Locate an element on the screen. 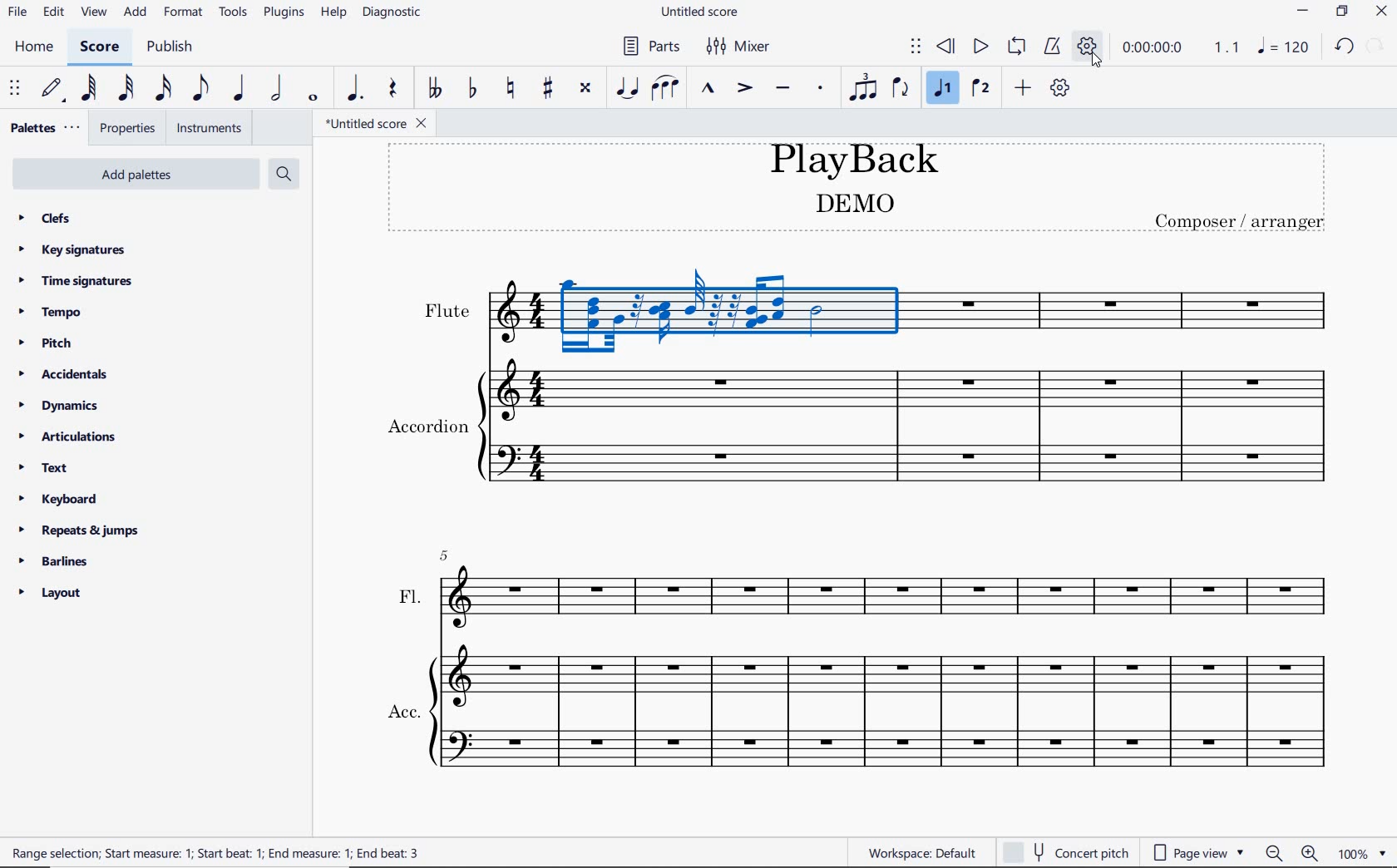 Image resolution: width=1397 pixels, height=868 pixels. plugins is located at coordinates (283, 12).